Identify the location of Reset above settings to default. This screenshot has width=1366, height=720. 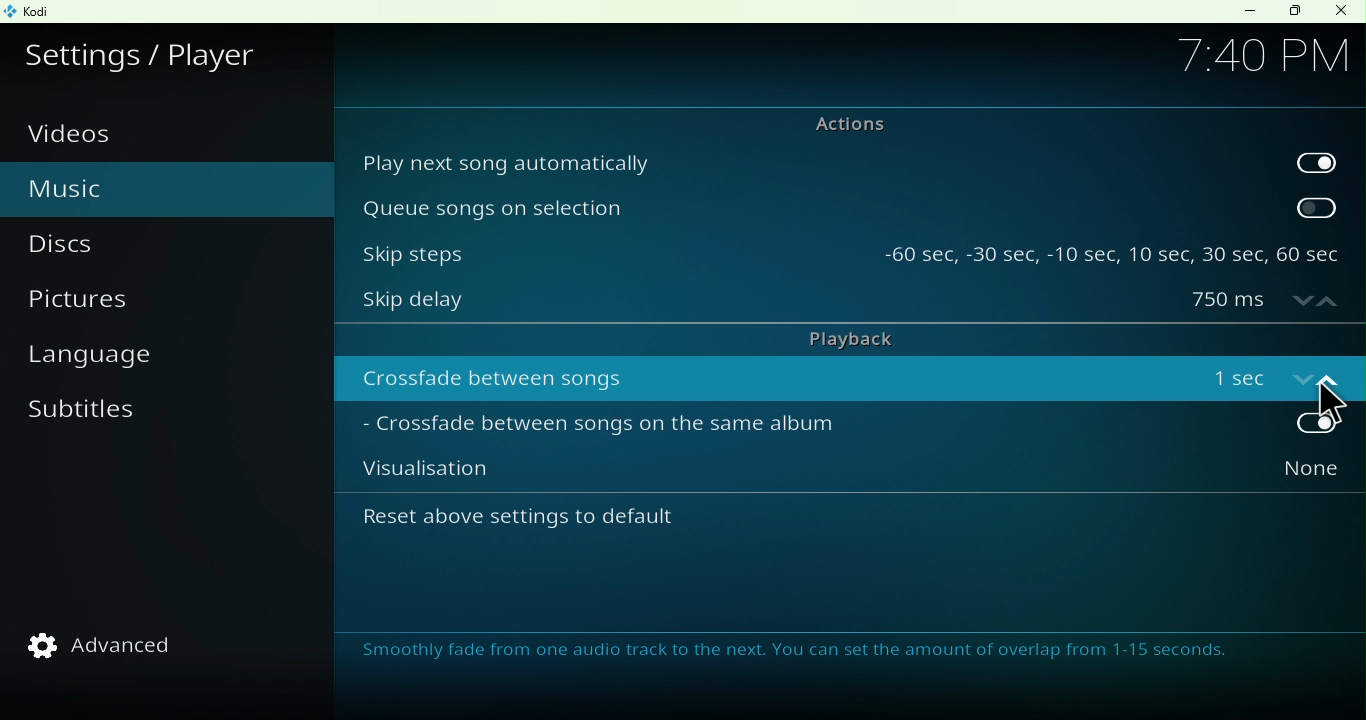
(569, 527).